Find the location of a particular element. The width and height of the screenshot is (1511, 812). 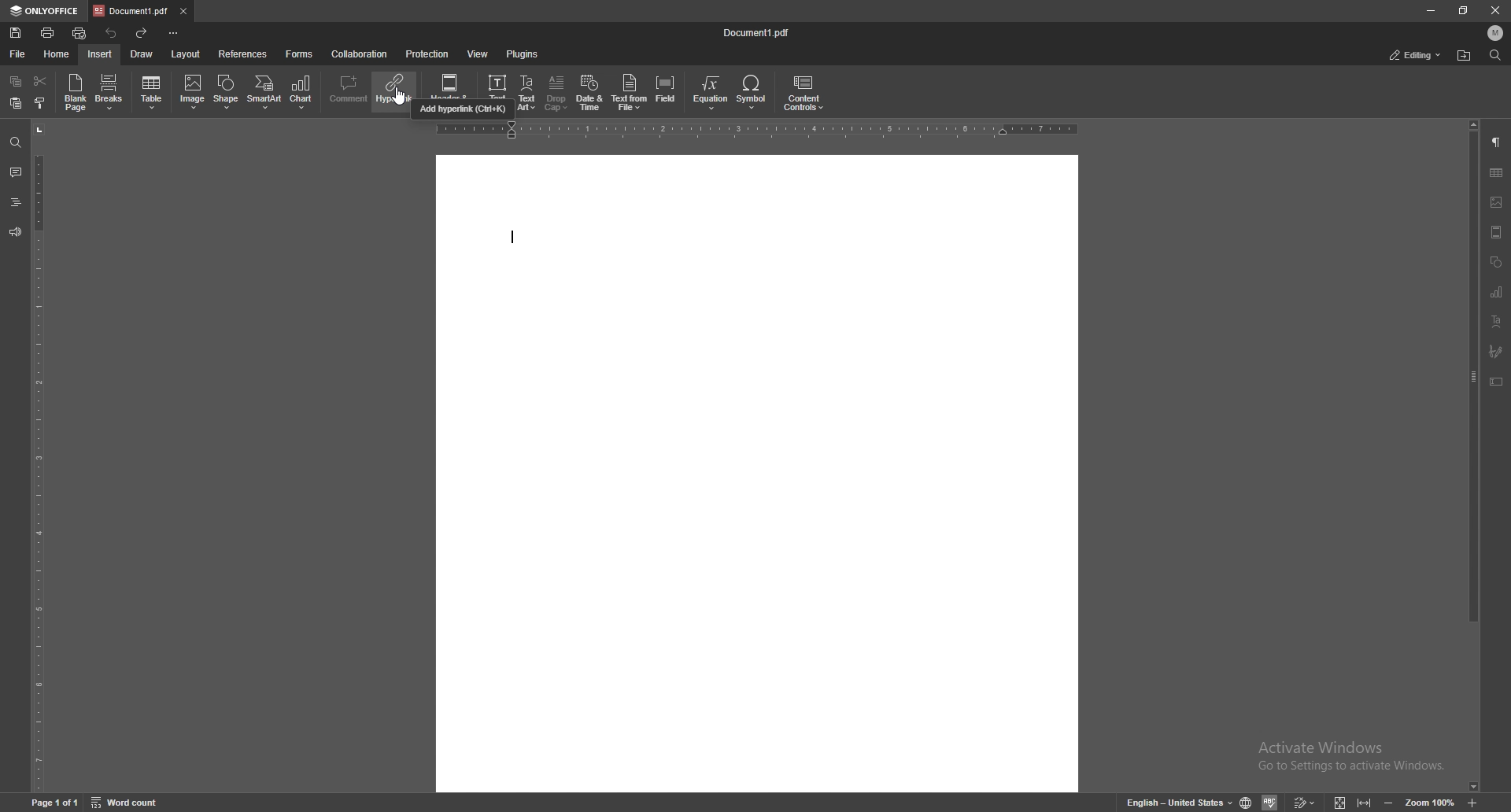

spell check is located at coordinates (1272, 802).